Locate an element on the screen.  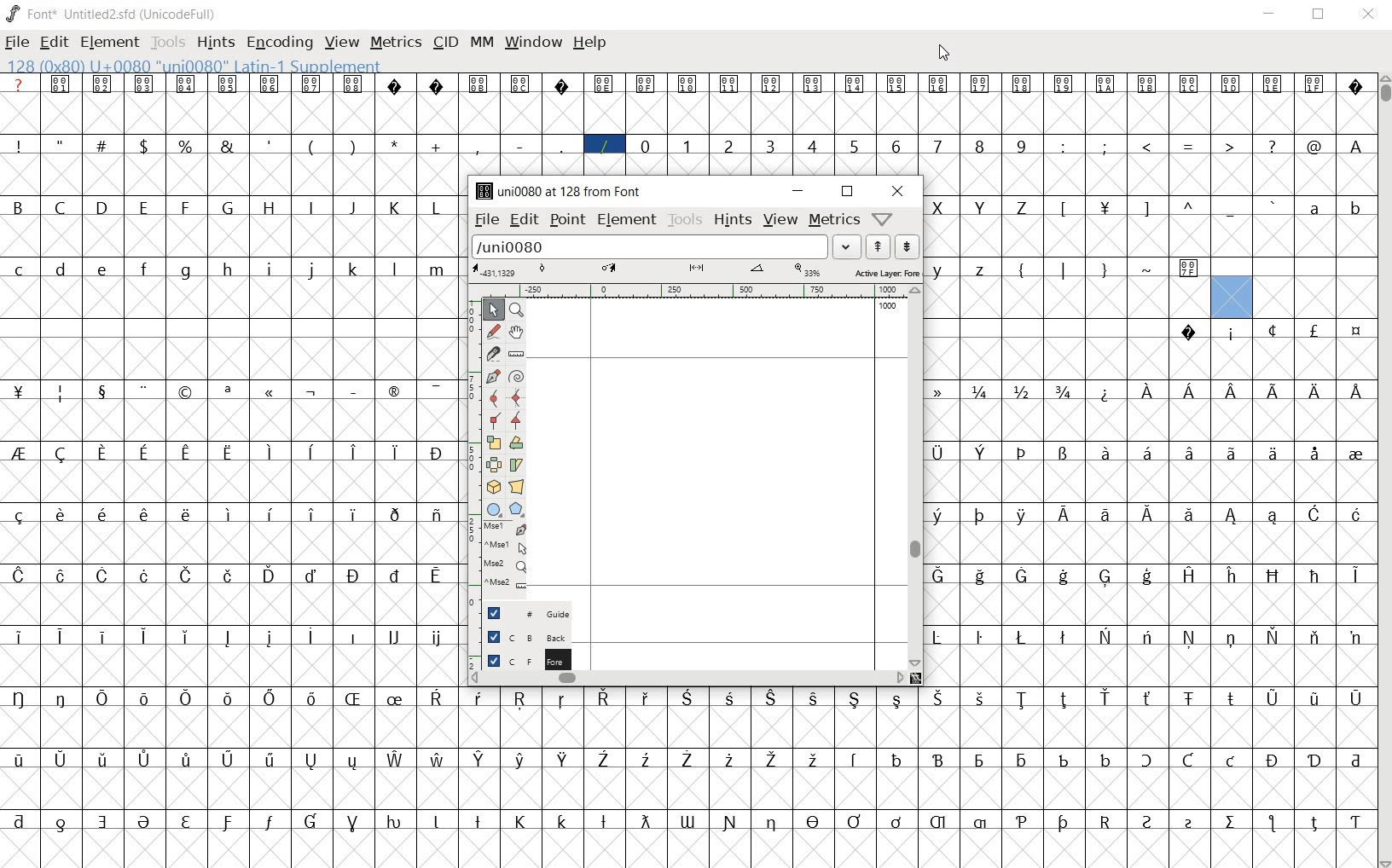
glyph is located at coordinates (144, 576).